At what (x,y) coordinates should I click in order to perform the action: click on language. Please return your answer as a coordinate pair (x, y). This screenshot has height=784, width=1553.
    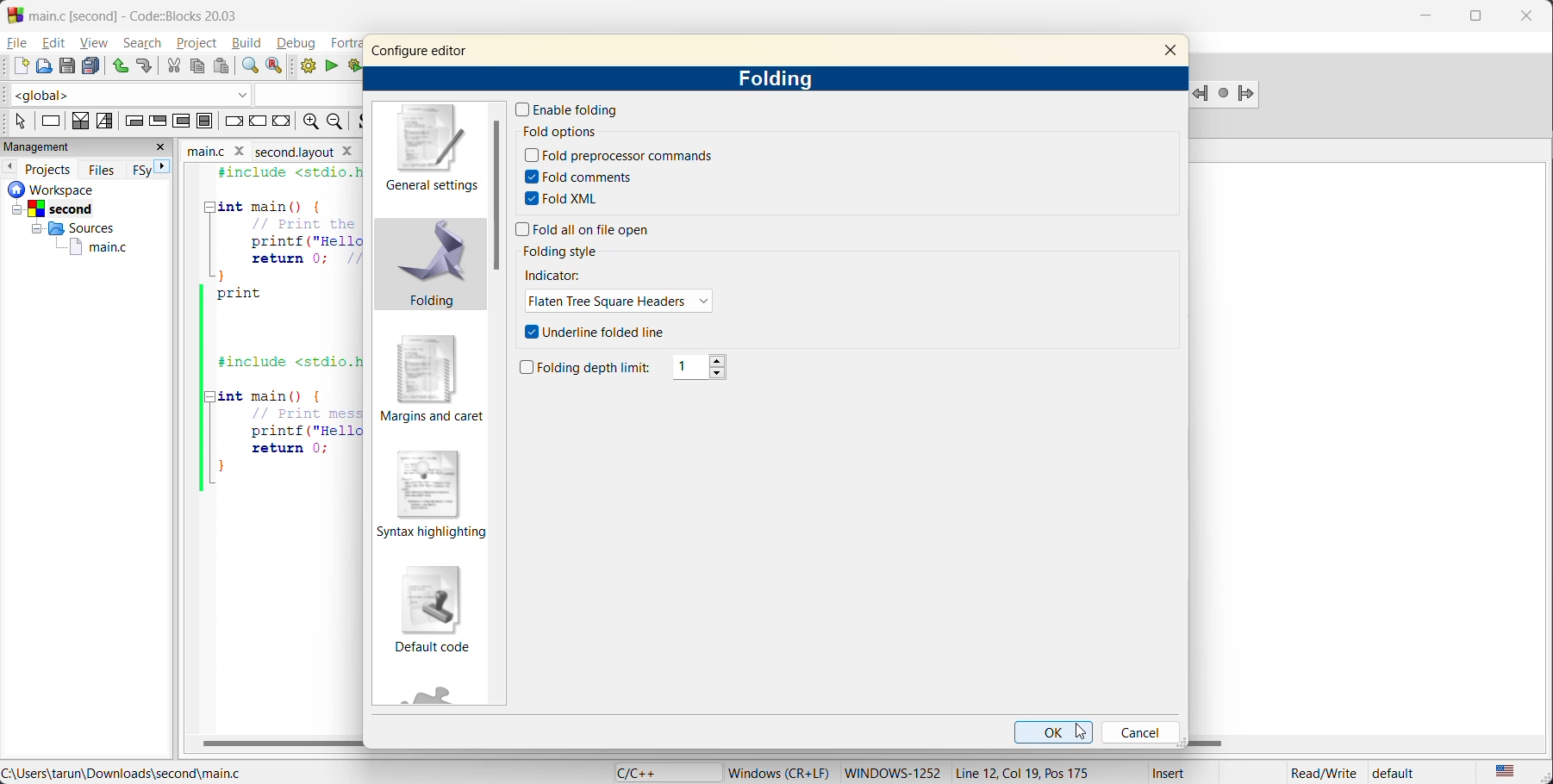
    Looking at the image, I should click on (658, 772).